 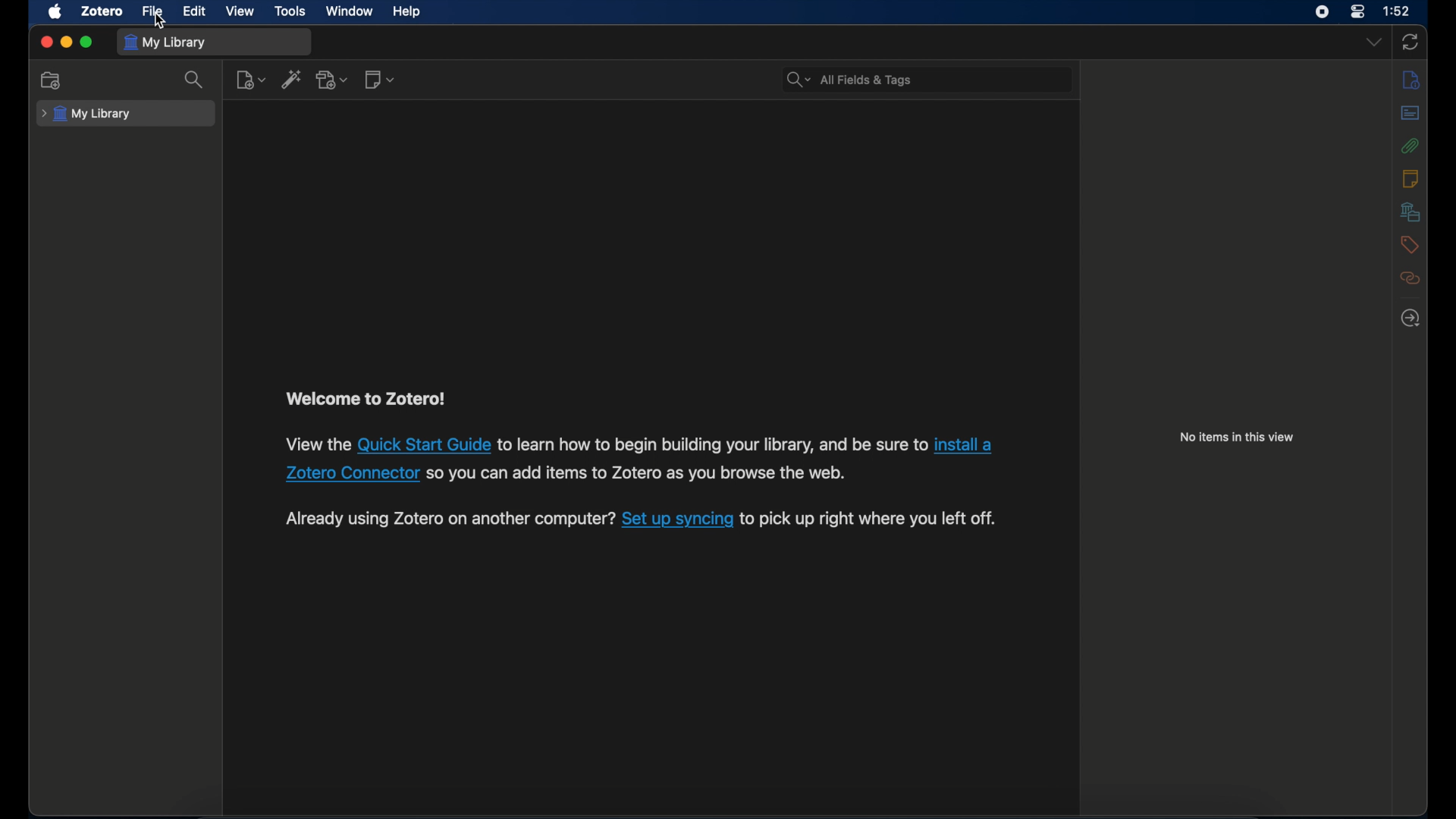 What do you see at coordinates (86, 115) in the screenshot?
I see `my library` at bounding box center [86, 115].